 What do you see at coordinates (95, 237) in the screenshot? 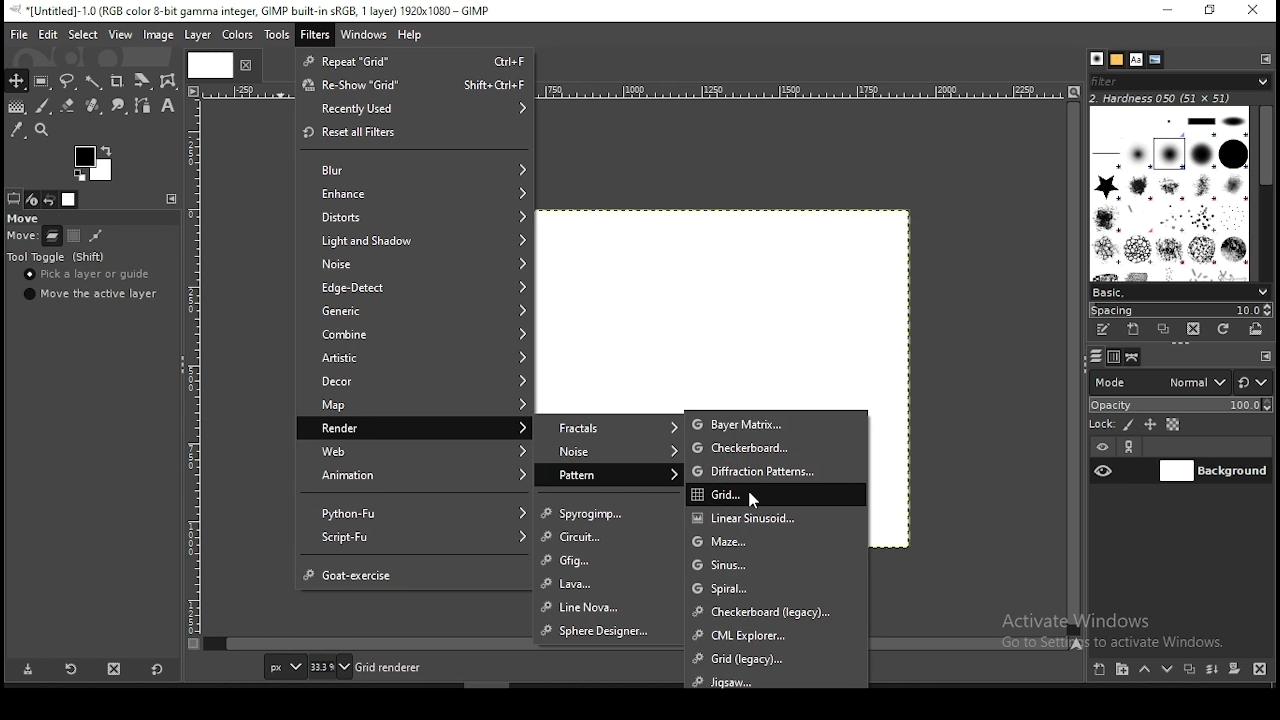
I see `move paths` at bounding box center [95, 237].